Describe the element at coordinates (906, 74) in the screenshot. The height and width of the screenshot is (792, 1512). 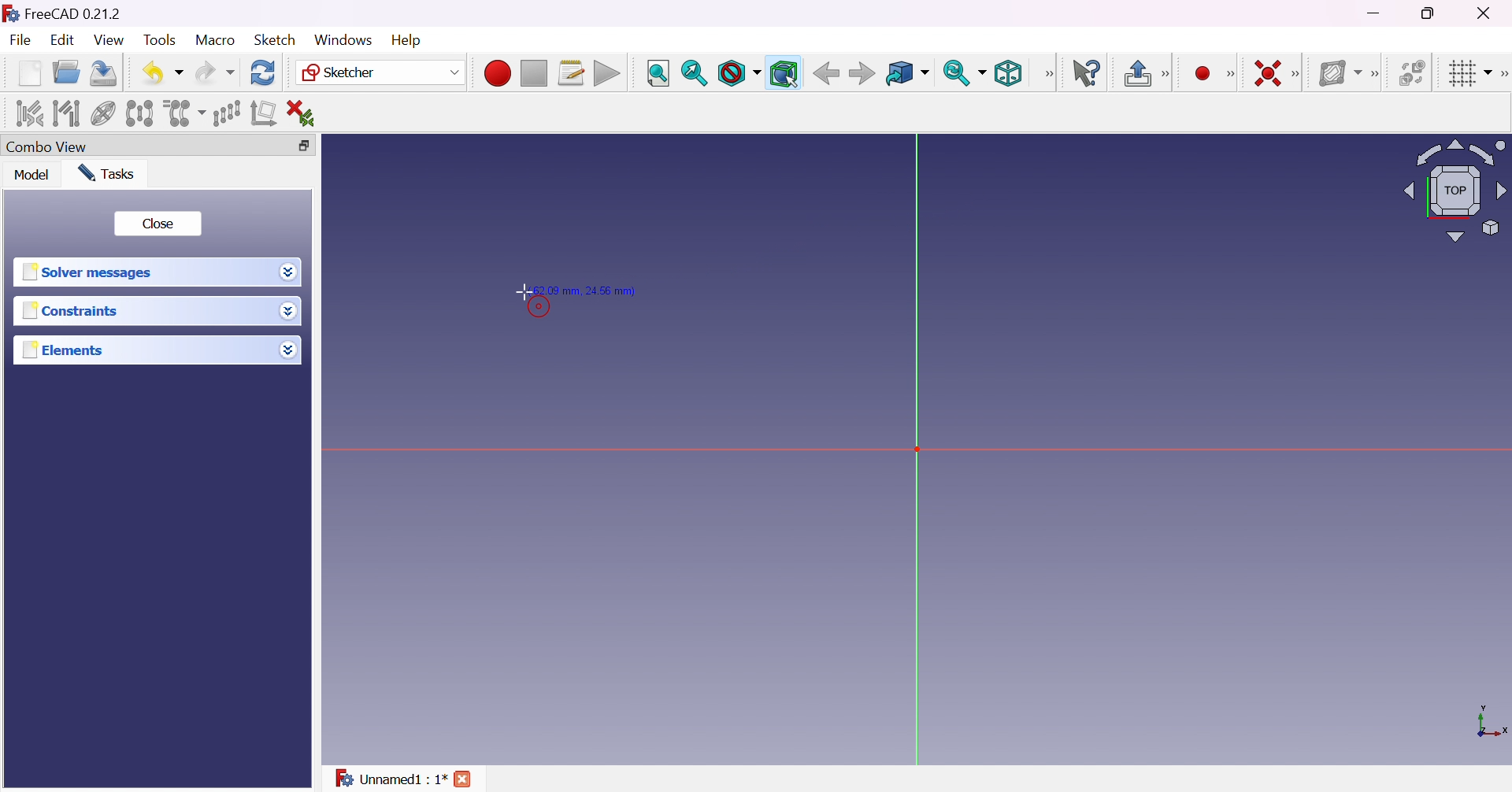
I see `Go to linked object` at that location.